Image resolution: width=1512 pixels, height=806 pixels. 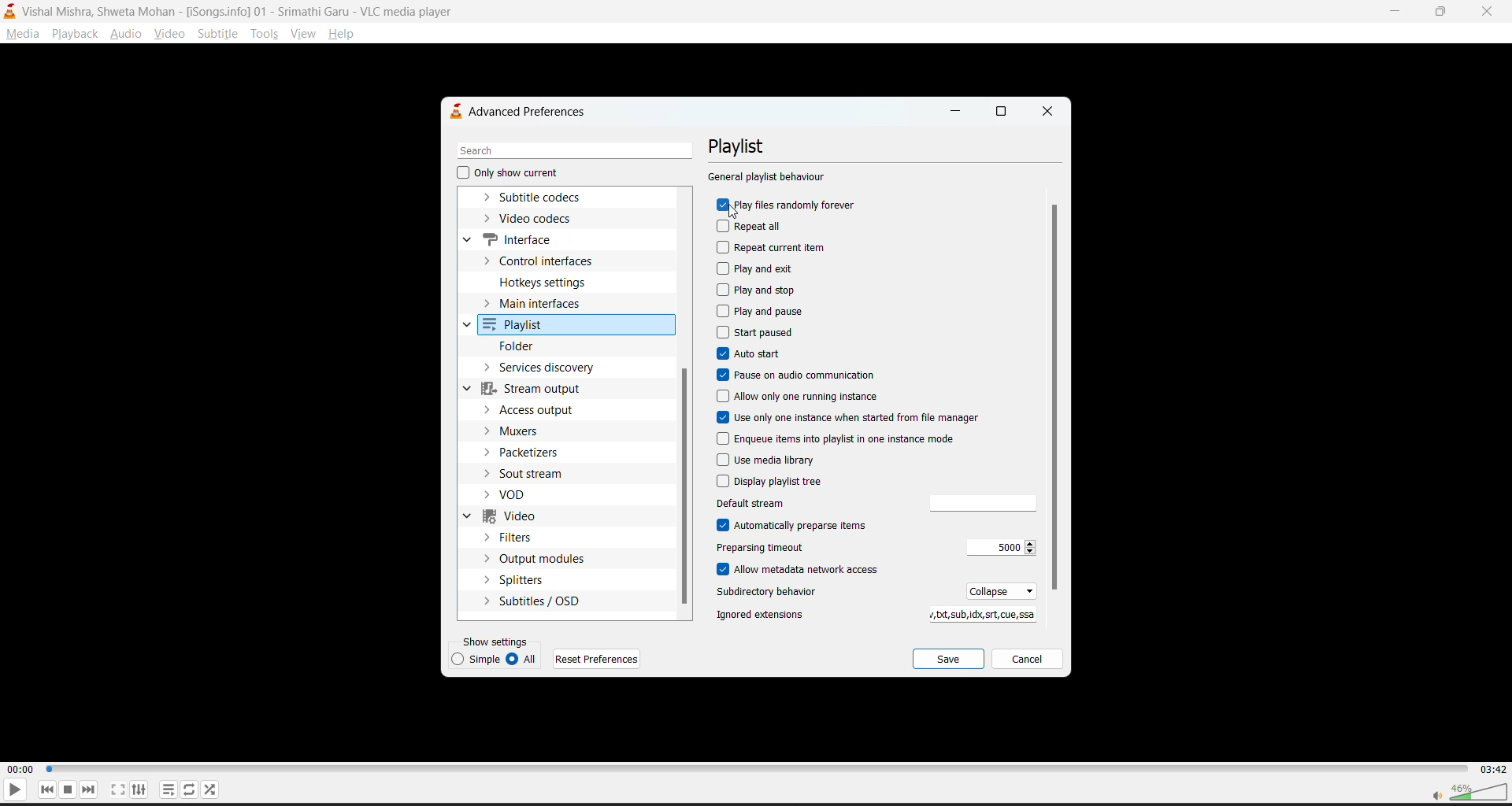 What do you see at coordinates (539, 559) in the screenshot?
I see `output modules` at bounding box center [539, 559].